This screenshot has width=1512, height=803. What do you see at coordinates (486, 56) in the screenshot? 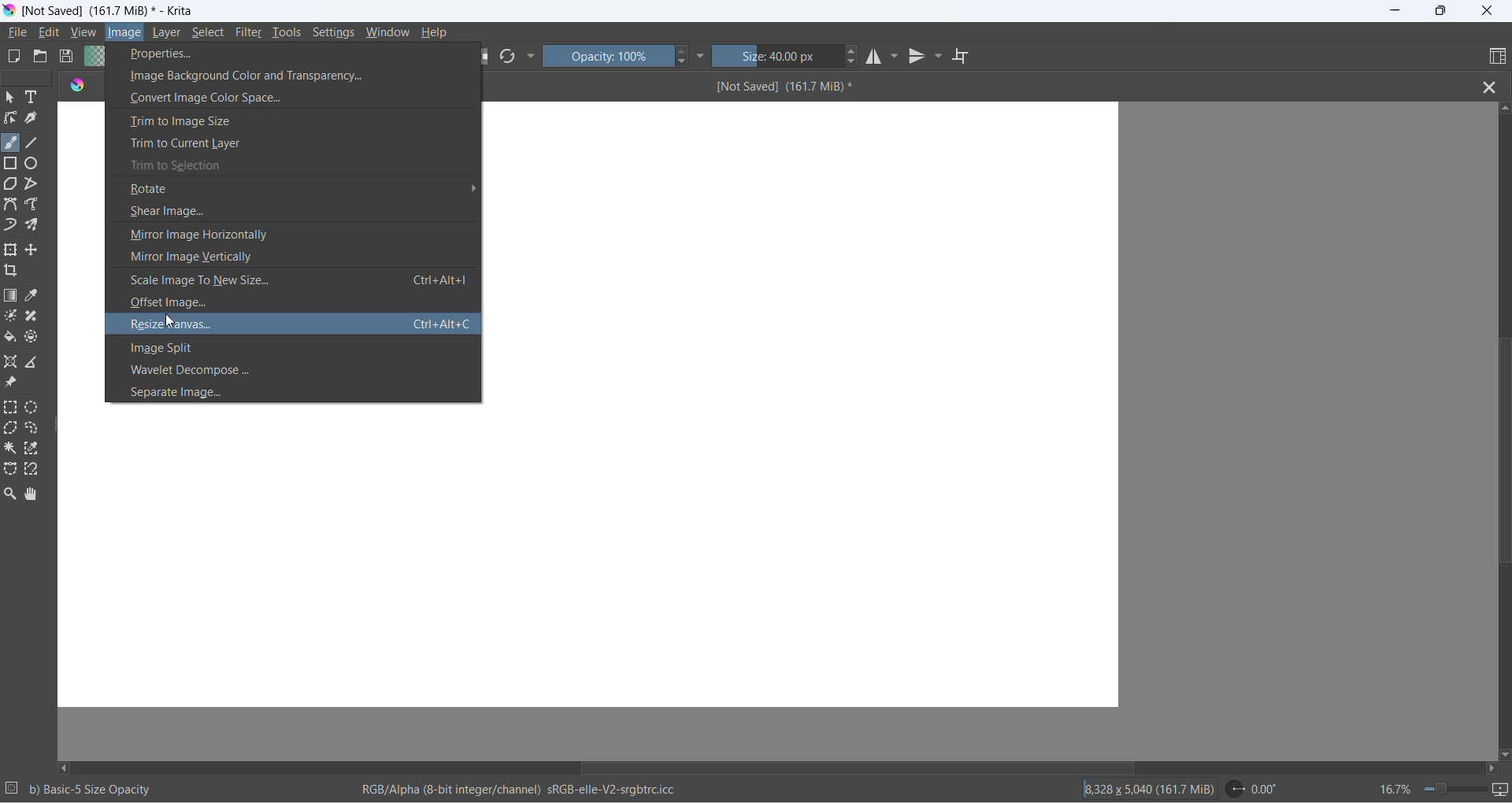
I see `preserve alpha` at bounding box center [486, 56].